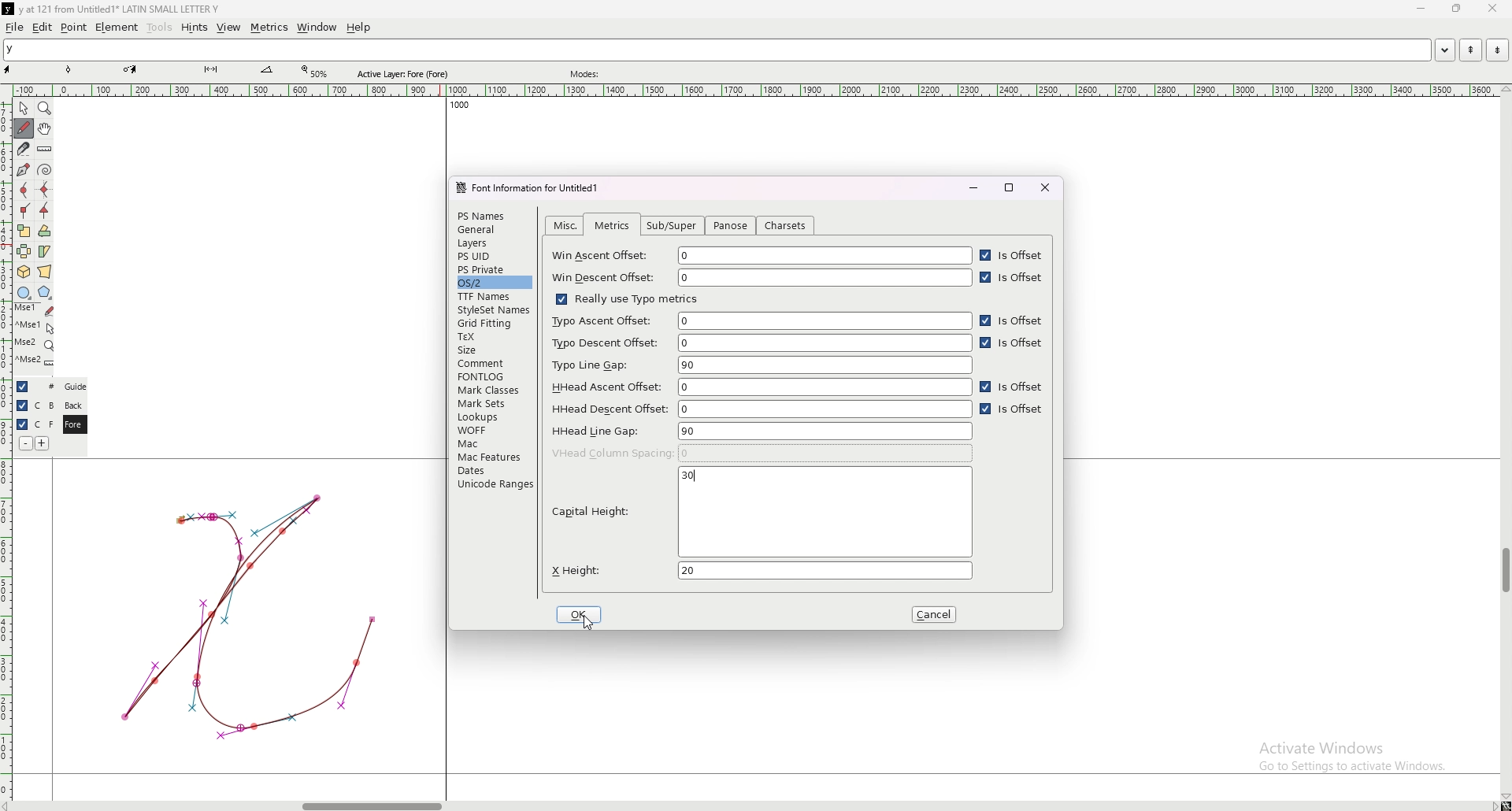 The image size is (1512, 811). Describe the element at coordinates (581, 614) in the screenshot. I see `ok` at that location.